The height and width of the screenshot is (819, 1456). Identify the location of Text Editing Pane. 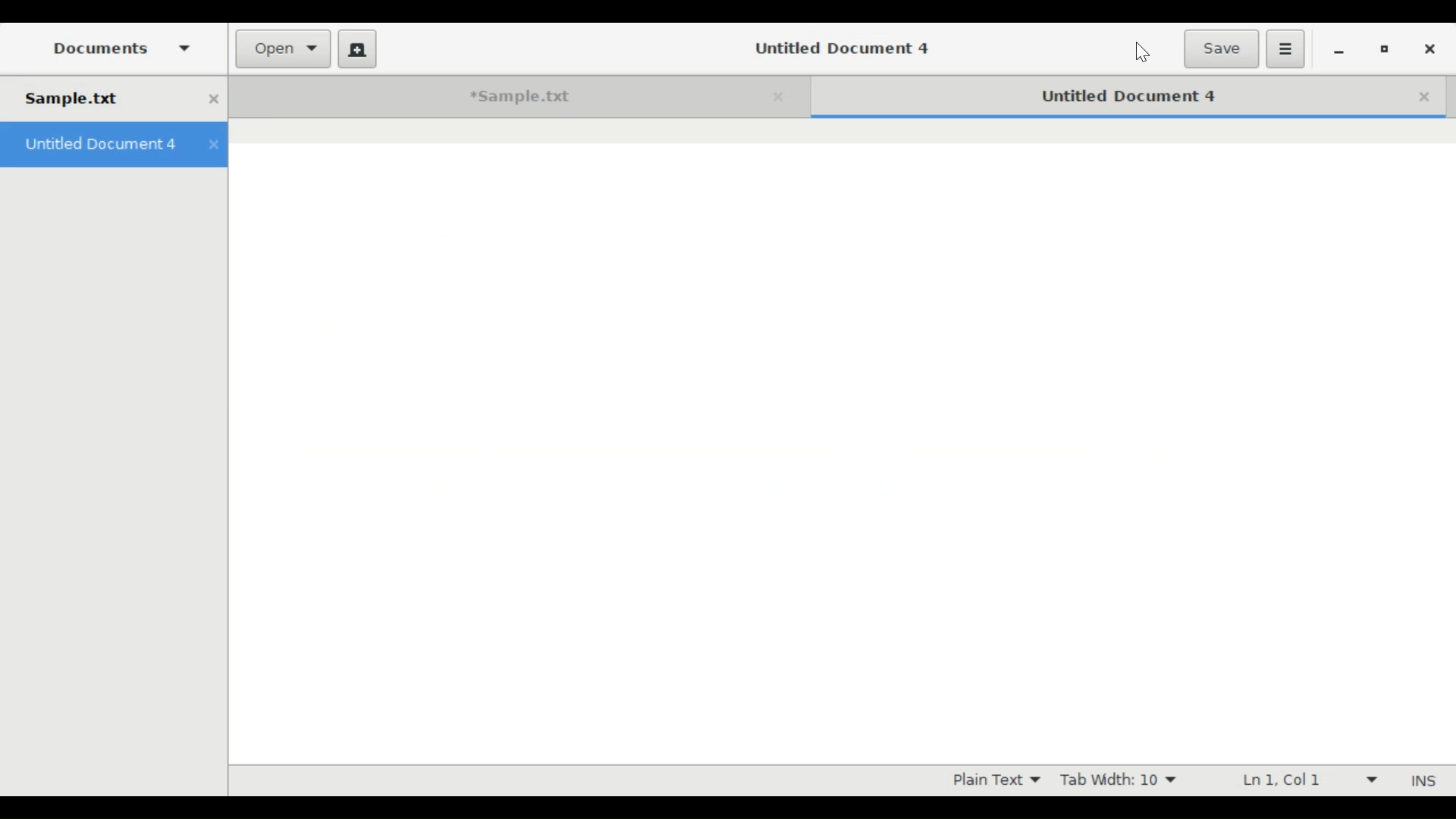
(839, 443).